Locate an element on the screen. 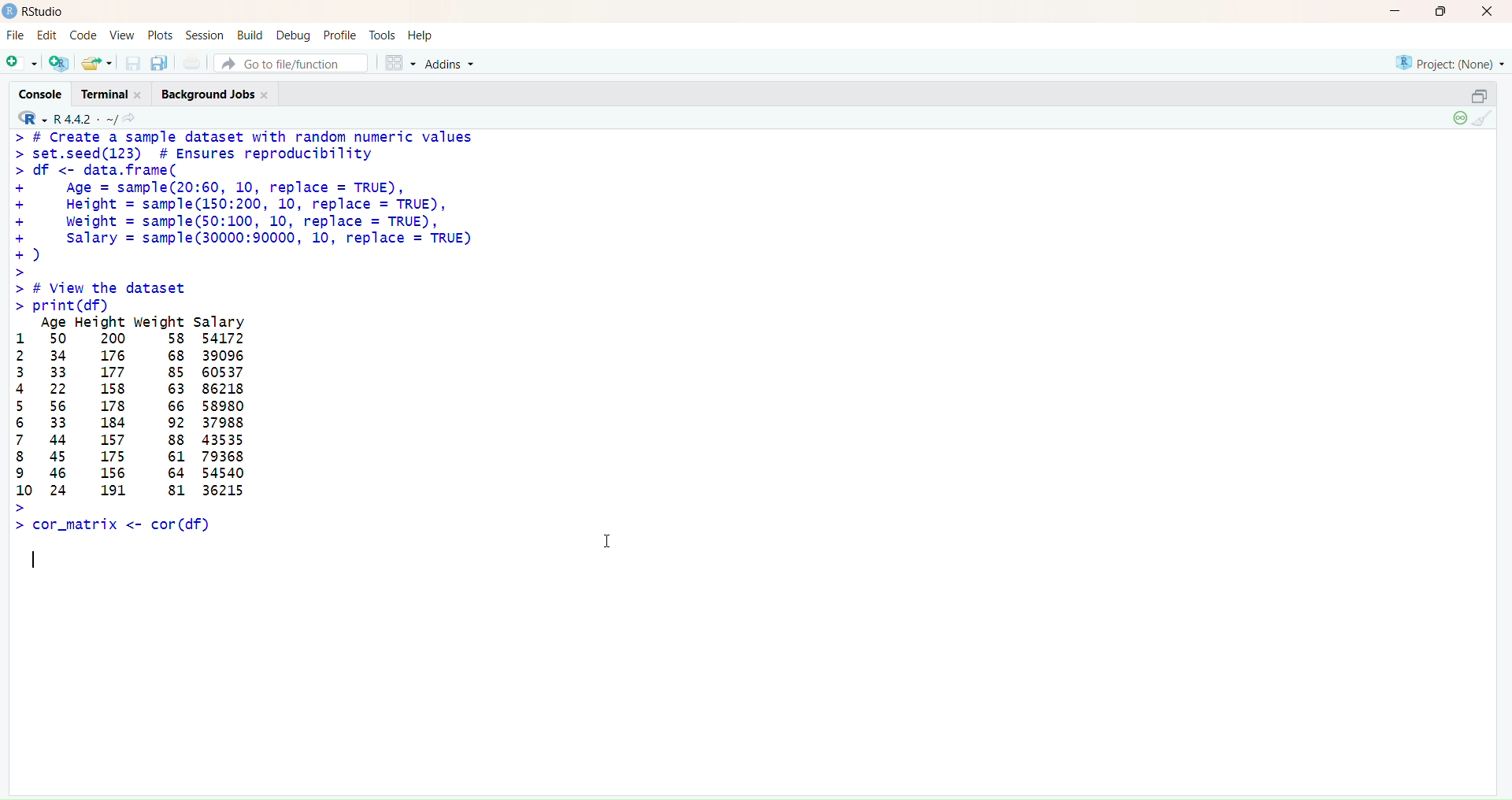 The width and height of the screenshot is (1512, 800). Save current document (Ctrl + S) is located at coordinates (132, 63).